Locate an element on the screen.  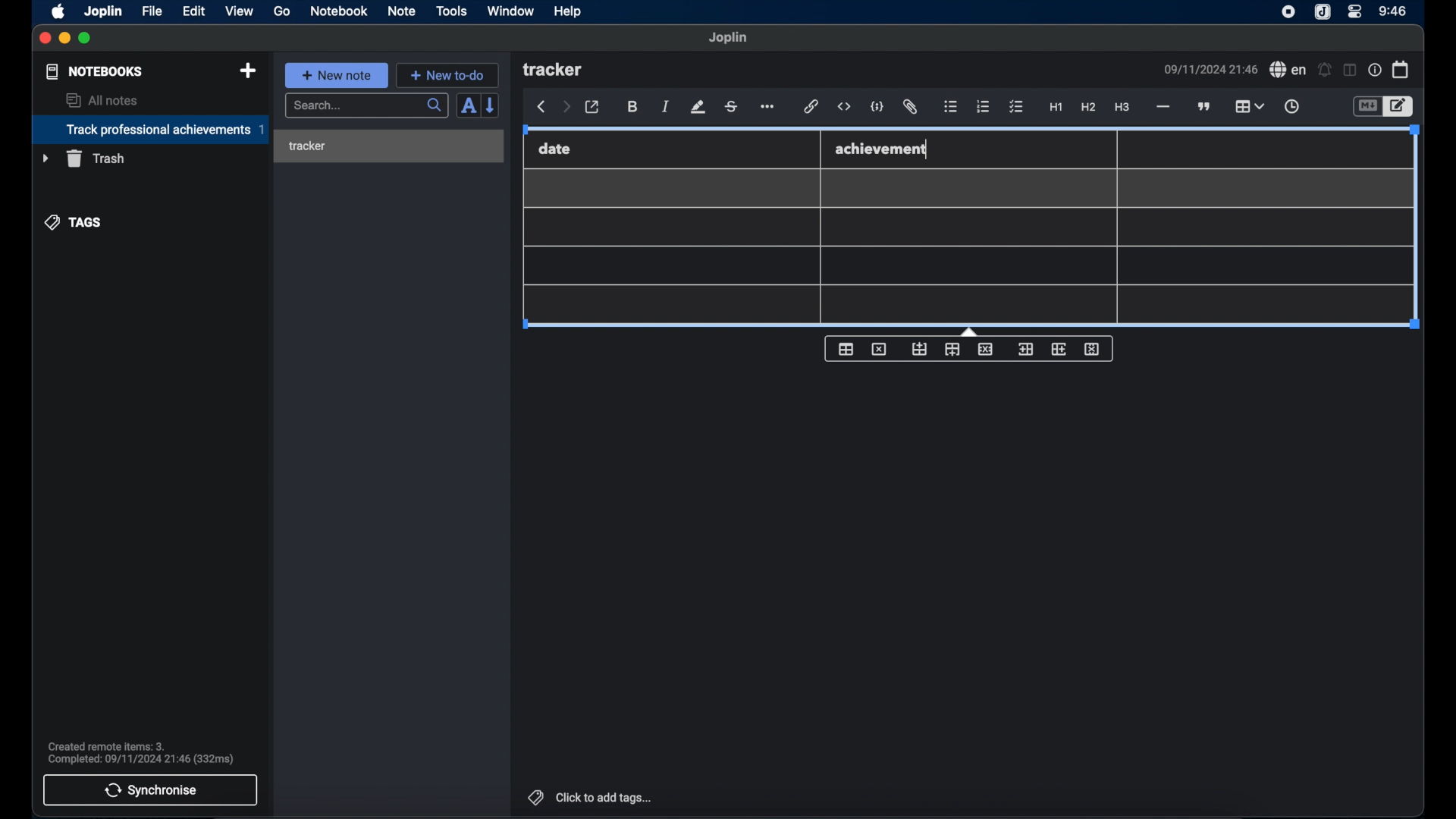
maximize is located at coordinates (86, 39).